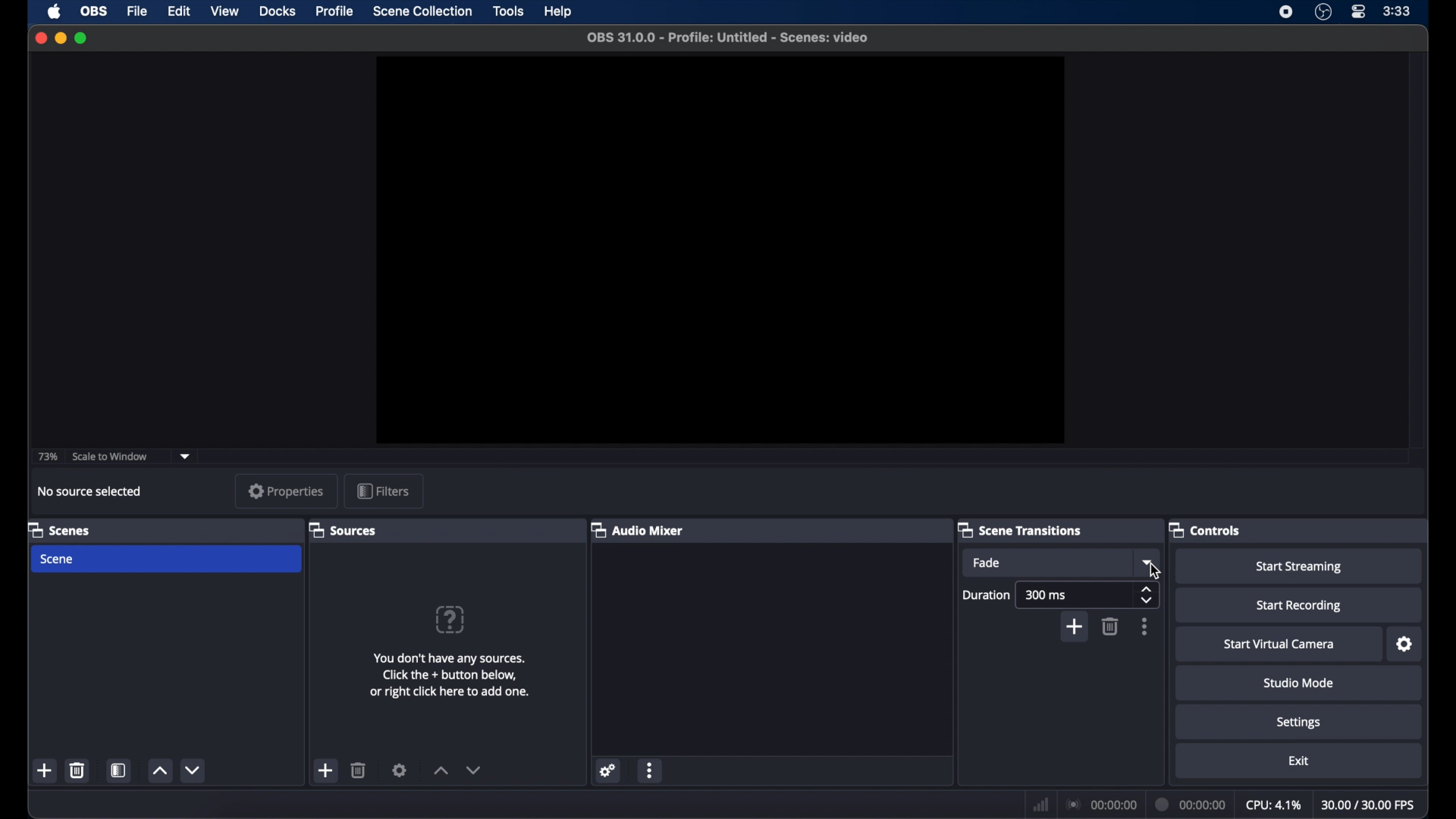 The height and width of the screenshot is (819, 1456). What do you see at coordinates (1398, 11) in the screenshot?
I see `time` at bounding box center [1398, 11].